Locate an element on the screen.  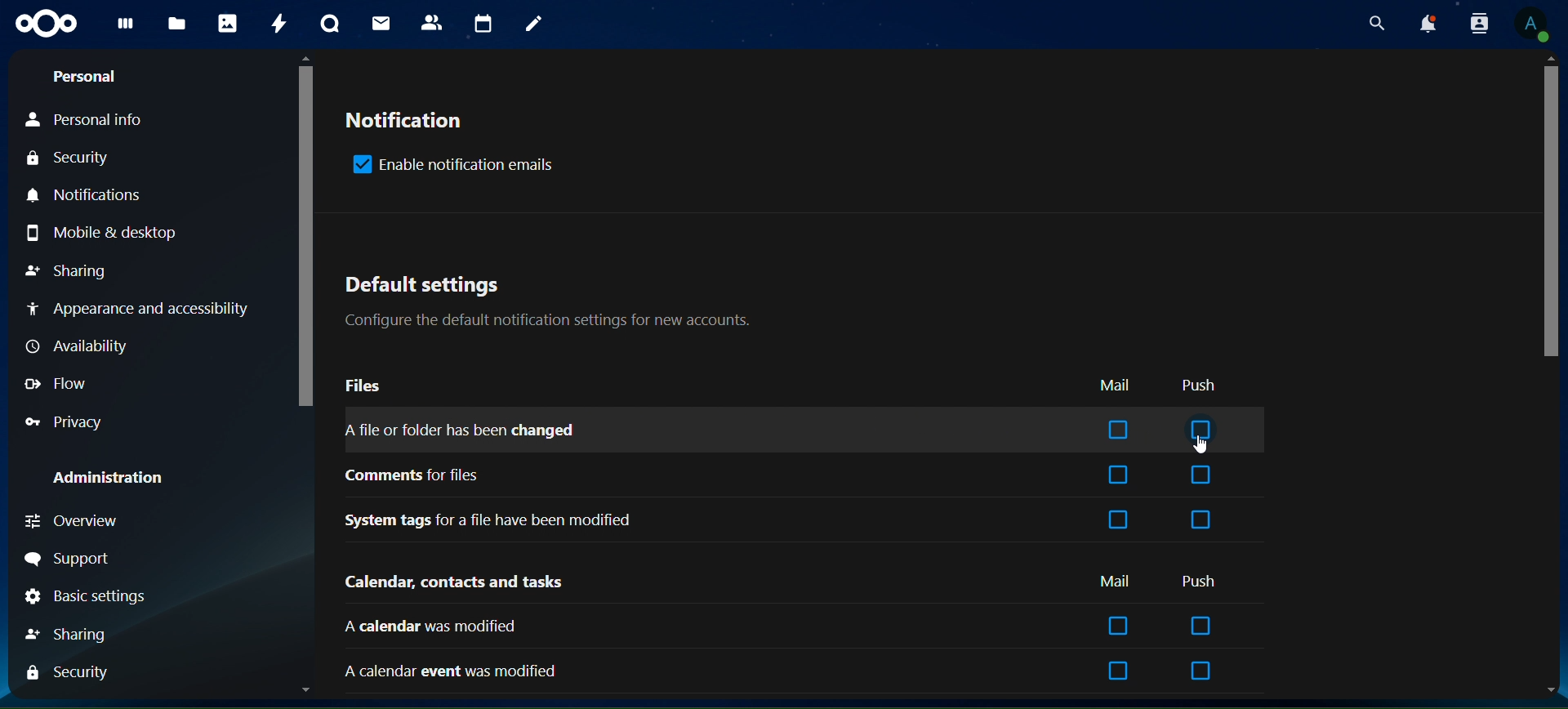
box is located at coordinates (1201, 476).